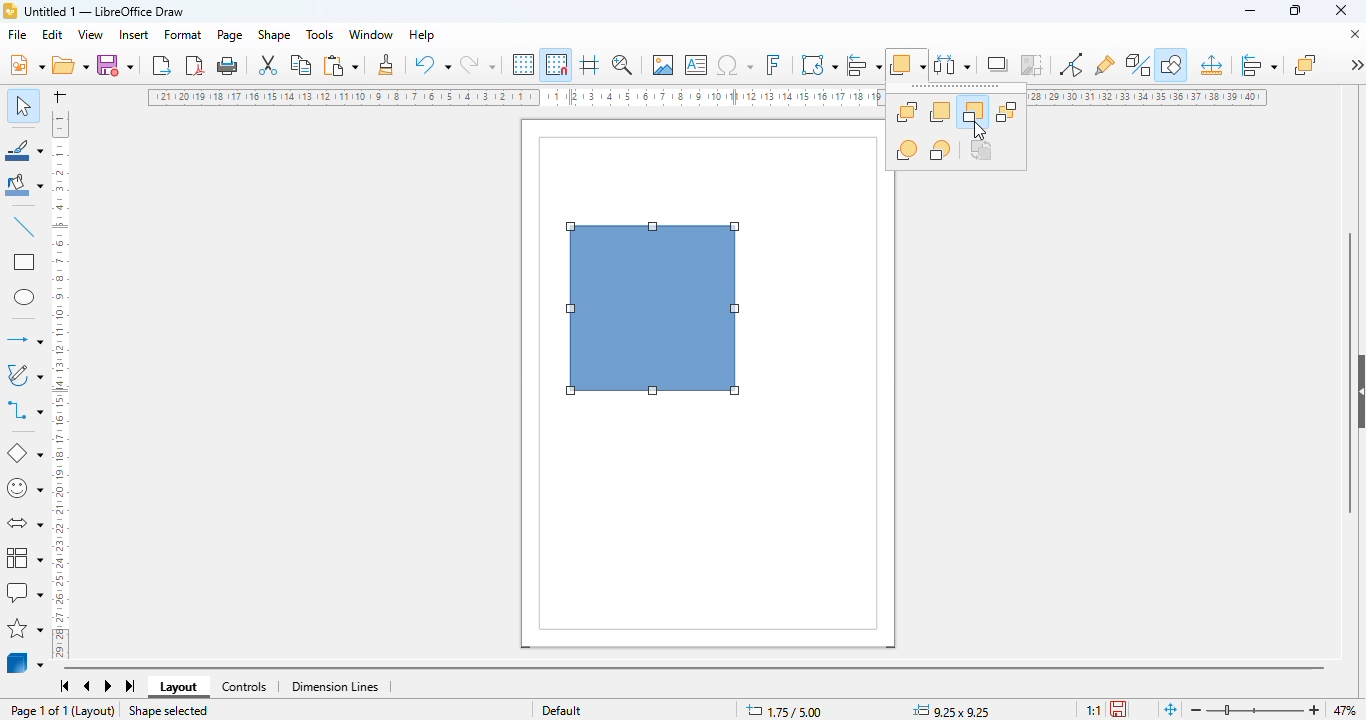 Image resolution: width=1366 pixels, height=720 pixels. Describe the element at coordinates (92, 35) in the screenshot. I see `view` at that location.